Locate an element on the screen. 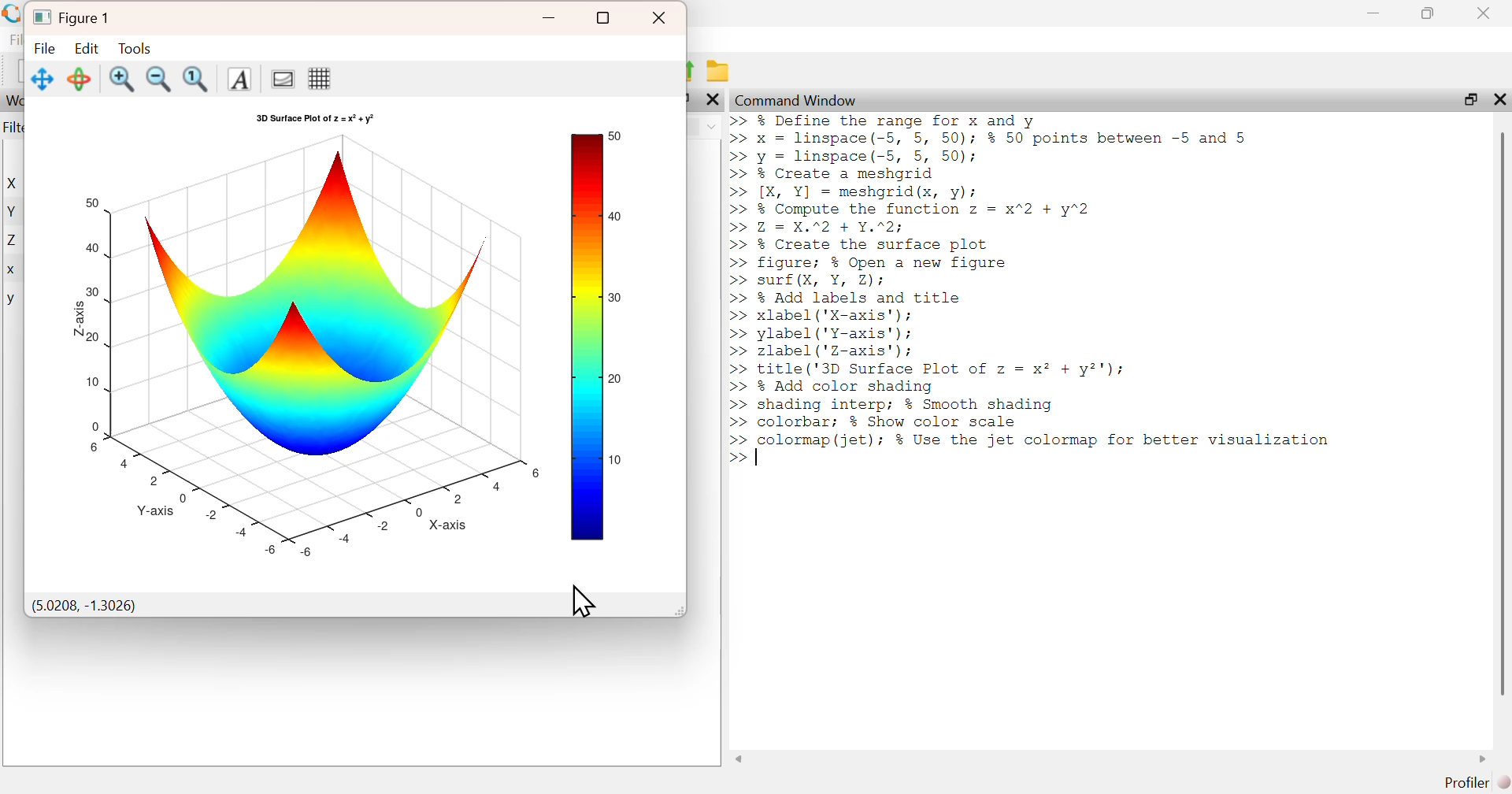  scroll right is located at coordinates (1484, 759).